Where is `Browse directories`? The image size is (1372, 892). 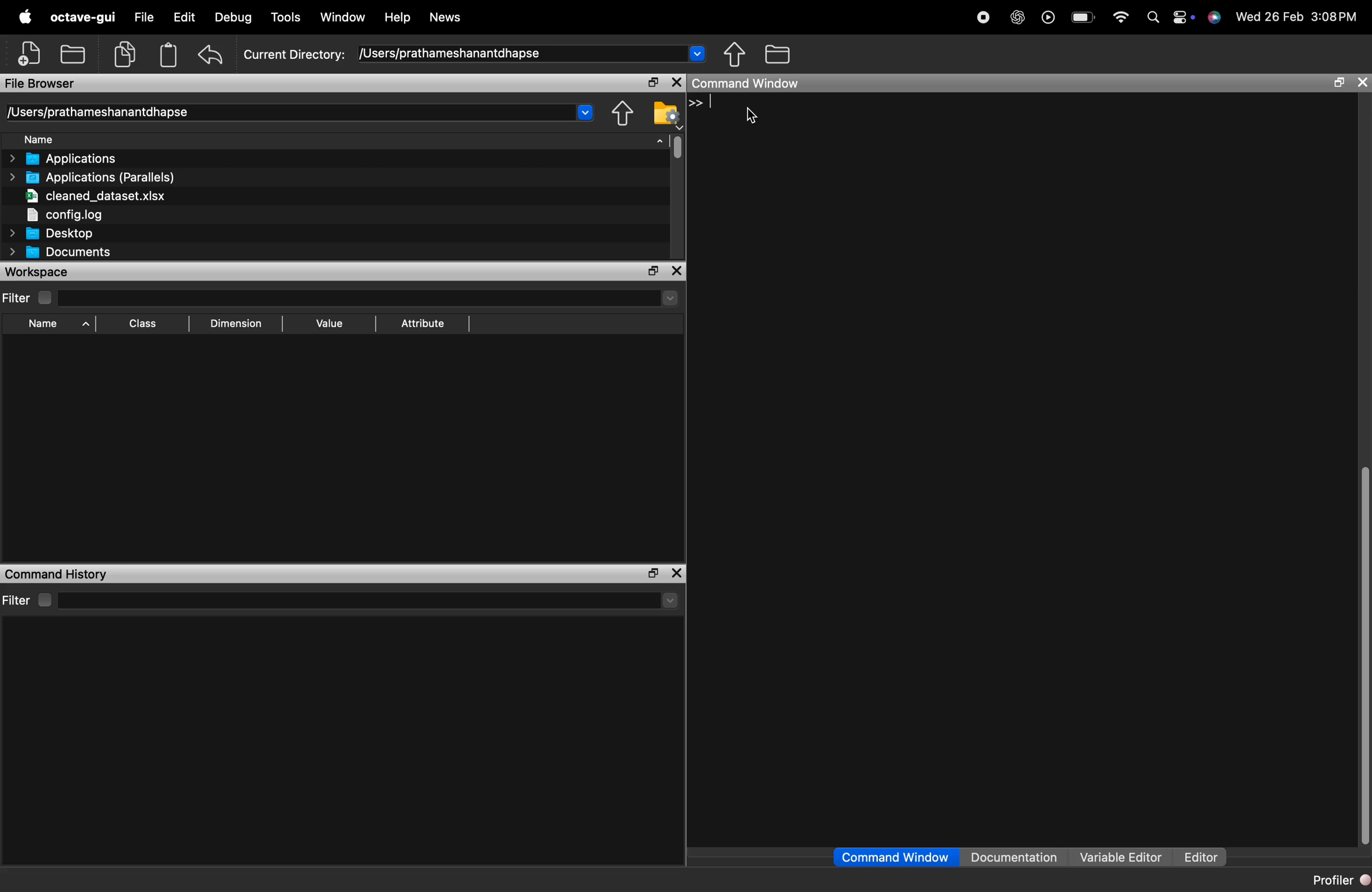
Browse directories is located at coordinates (733, 54).